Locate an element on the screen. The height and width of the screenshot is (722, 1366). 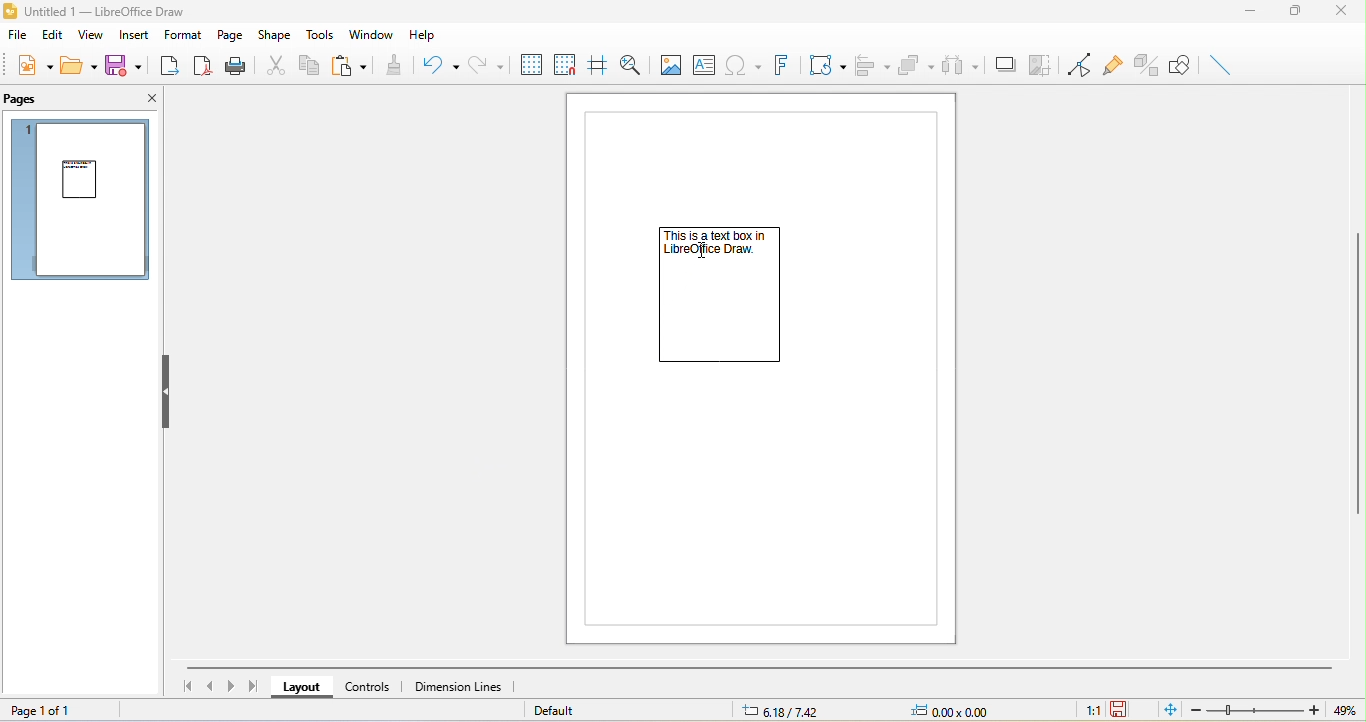
new is located at coordinates (29, 65).